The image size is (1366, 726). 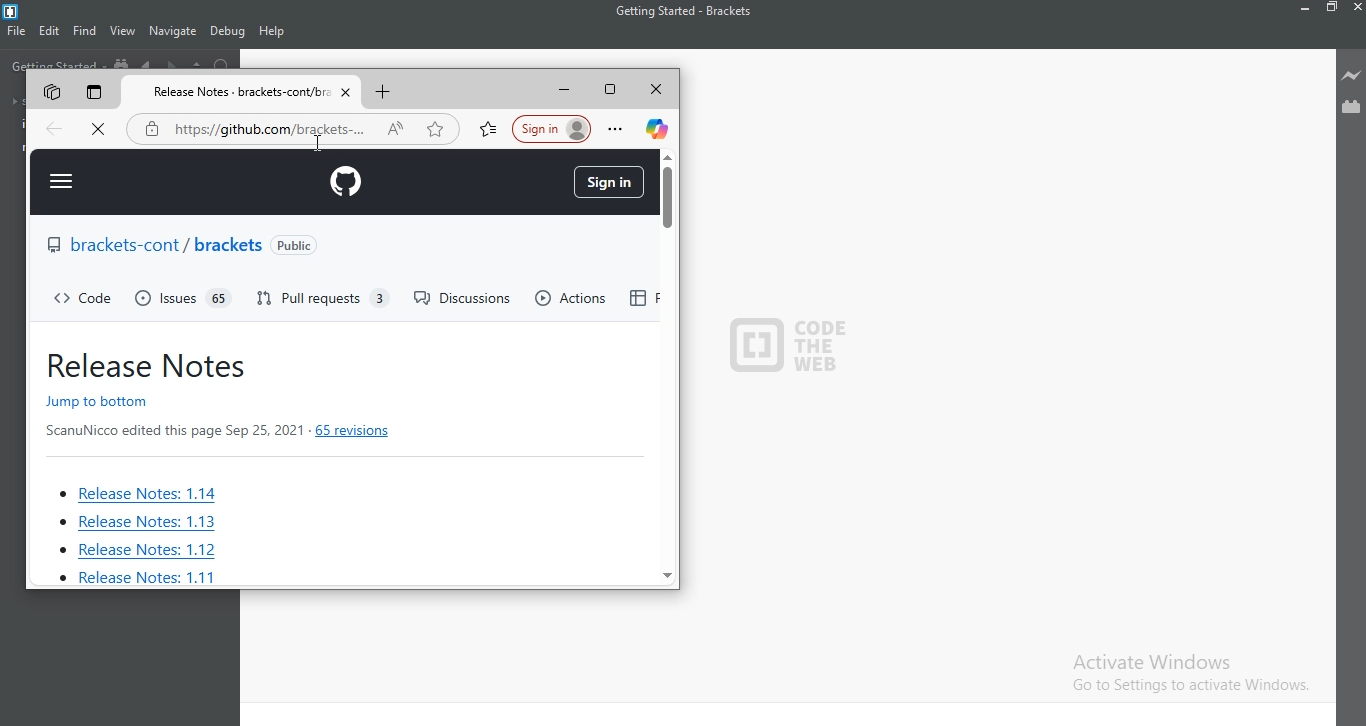 What do you see at coordinates (349, 182) in the screenshot?
I see `github` at bounding box center [349, 182].